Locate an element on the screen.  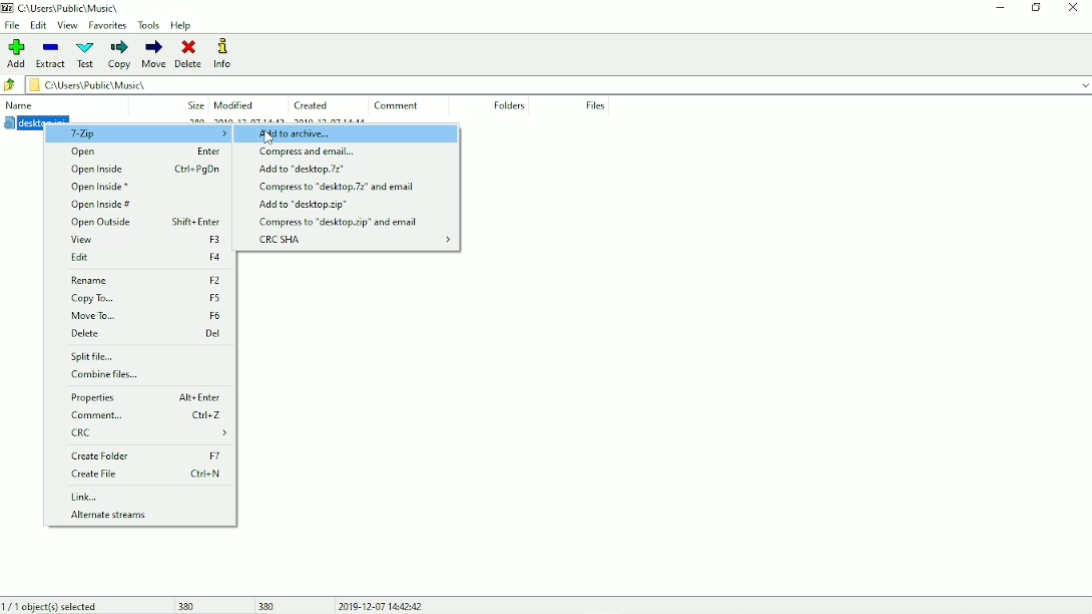
Compress and email is located at coordinates (308, 153).